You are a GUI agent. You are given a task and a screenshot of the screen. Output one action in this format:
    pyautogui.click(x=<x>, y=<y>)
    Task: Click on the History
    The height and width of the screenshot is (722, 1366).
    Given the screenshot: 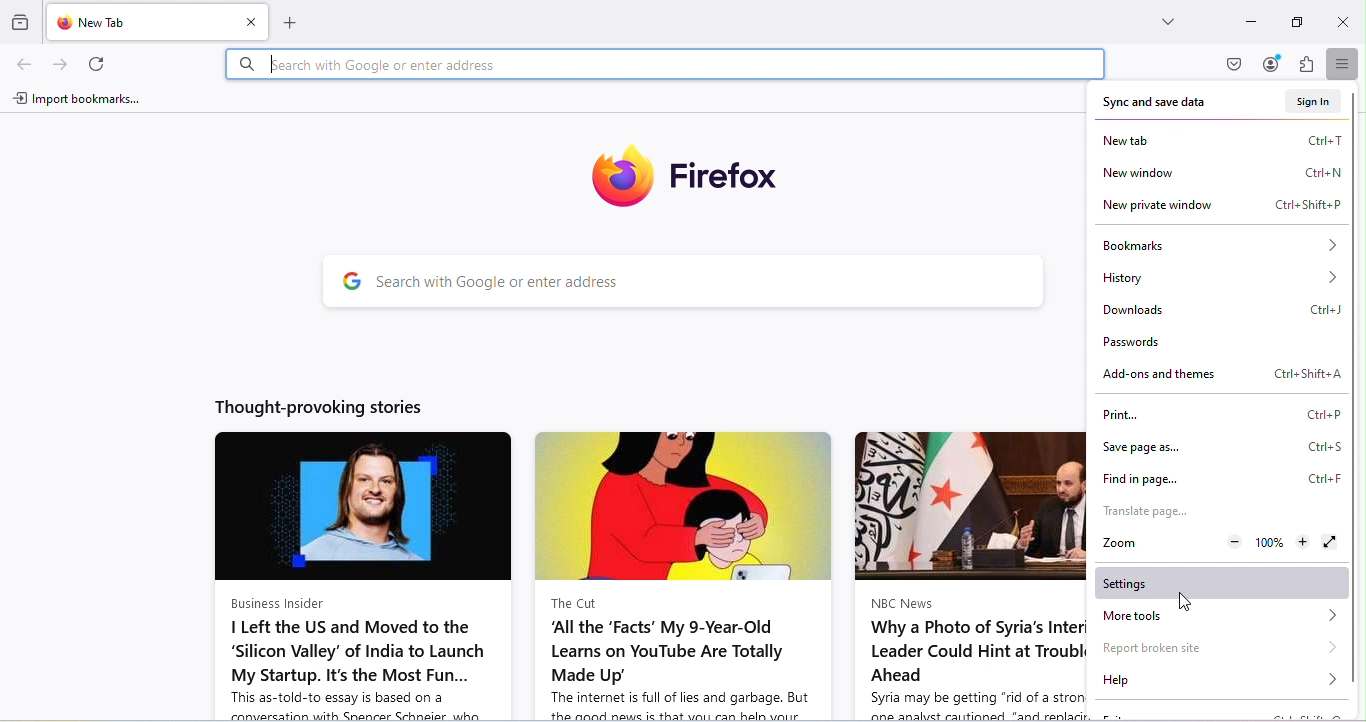 What is the action you would take?
    pyautogui.click(x=1219, y=277)
    